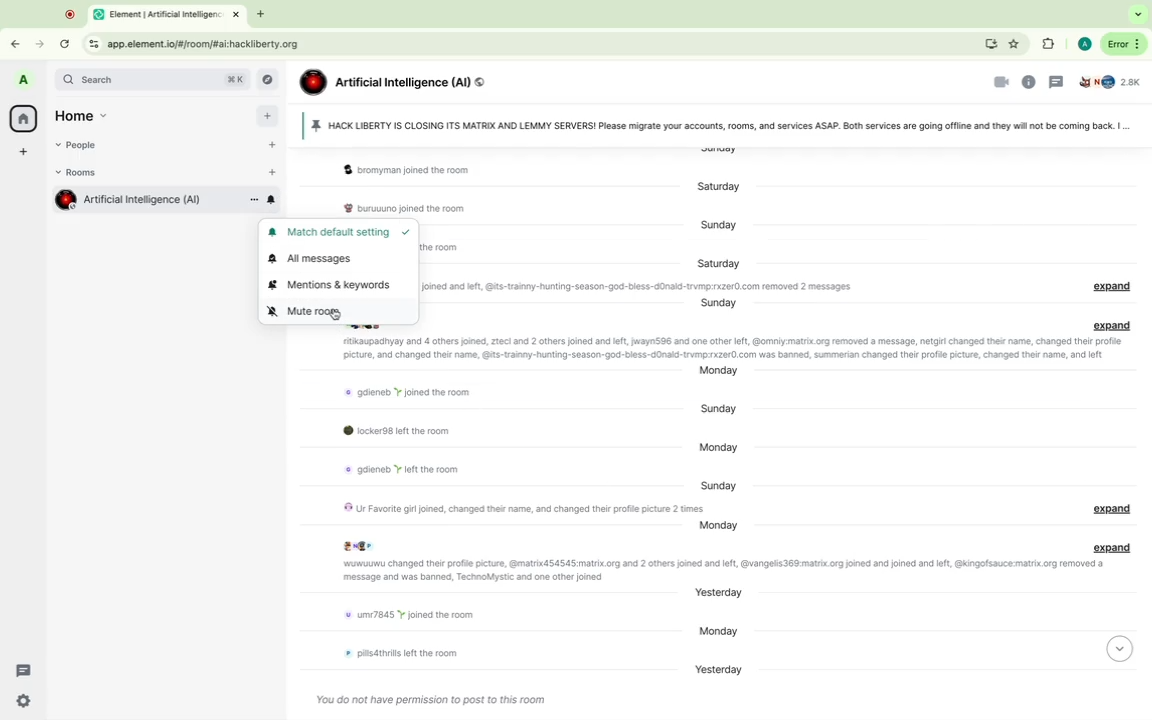 Image resolution: width=1152 pixels, height=720 pixels. I want to click on People, so click(1113, 84).